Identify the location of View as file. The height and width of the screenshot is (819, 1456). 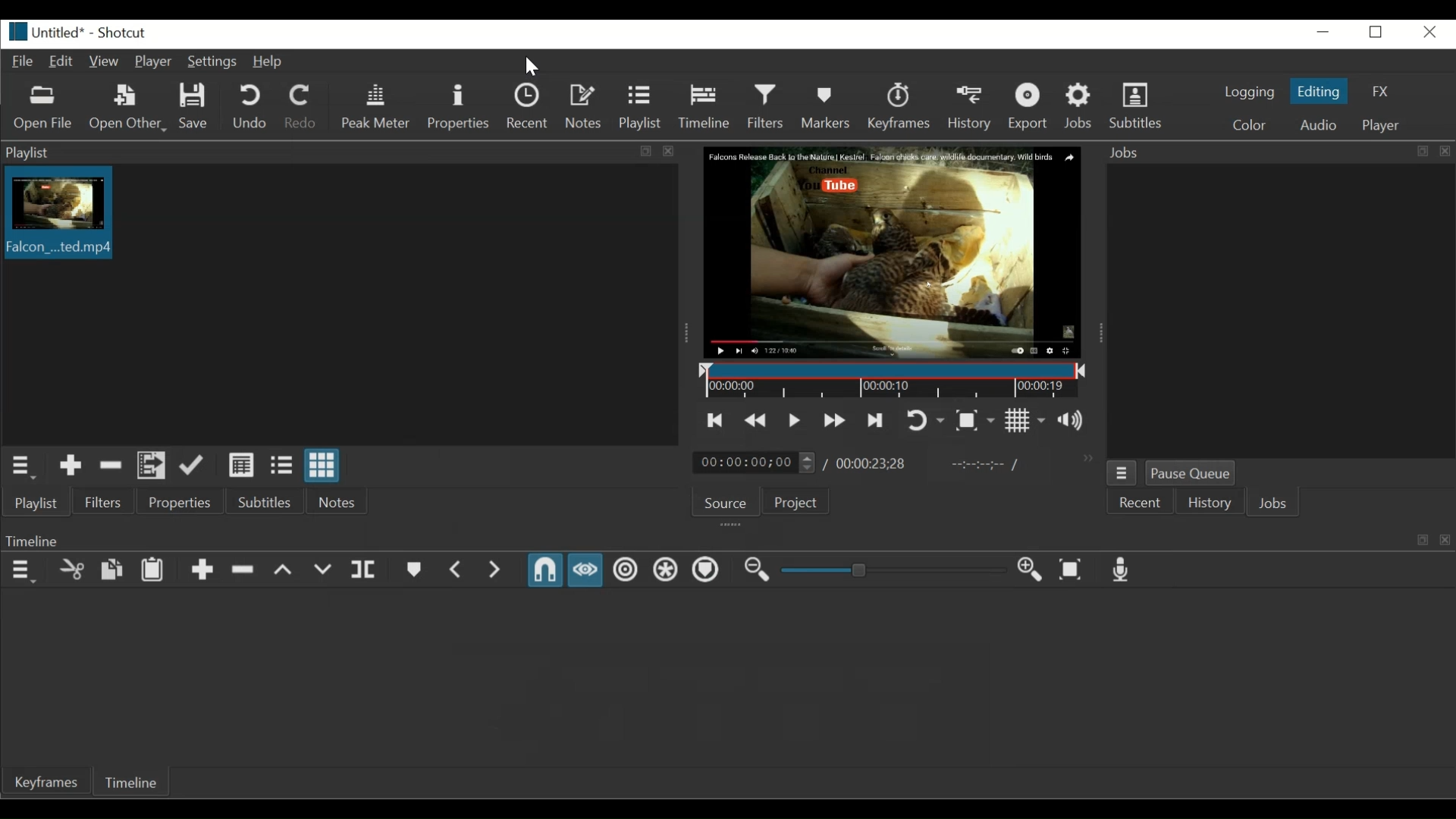
(281, 466).